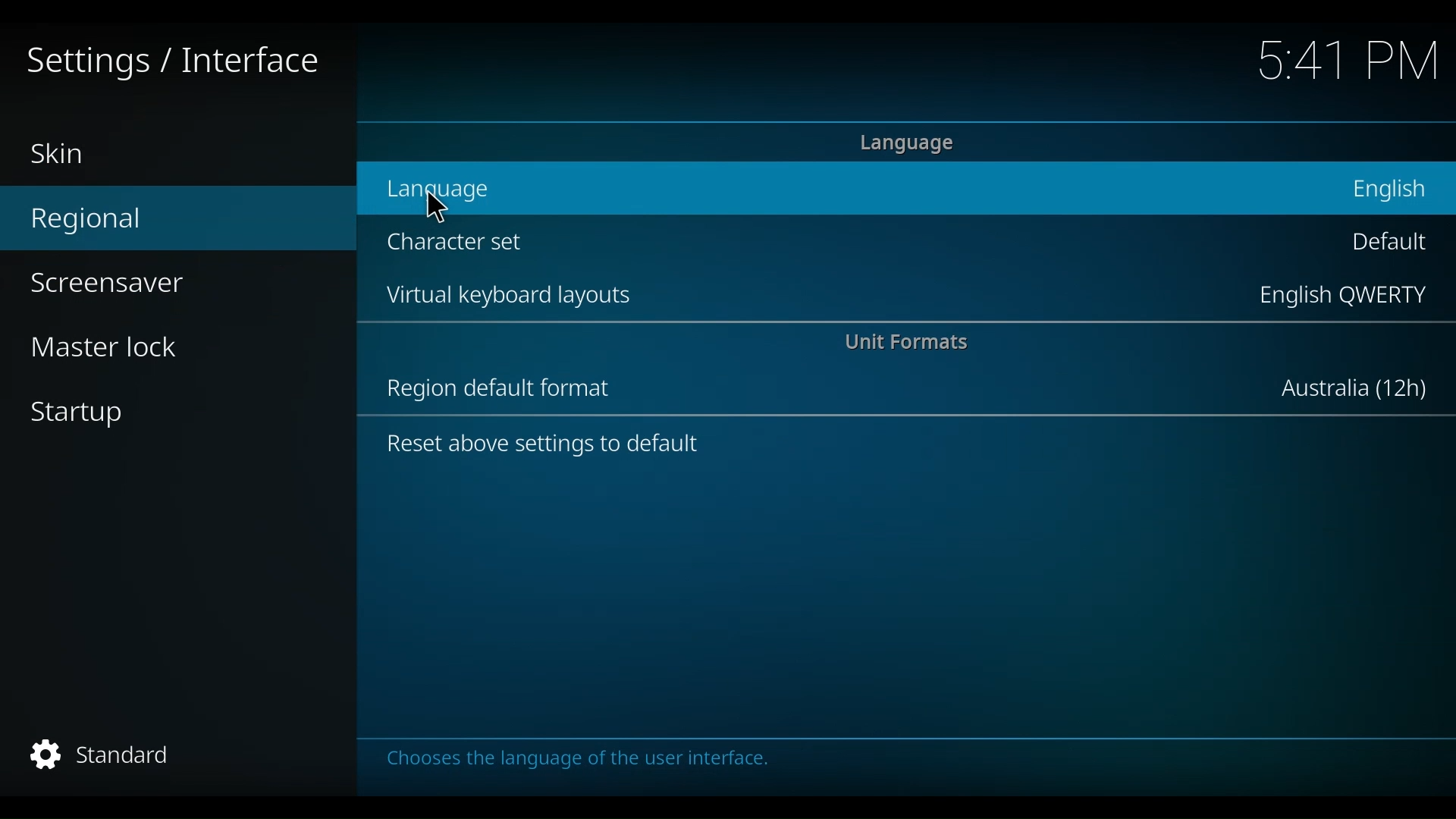 The image size is (1456, 819). Describe the element at coordinates (121, 350) in the screenshot. I see `master lock` at that location.